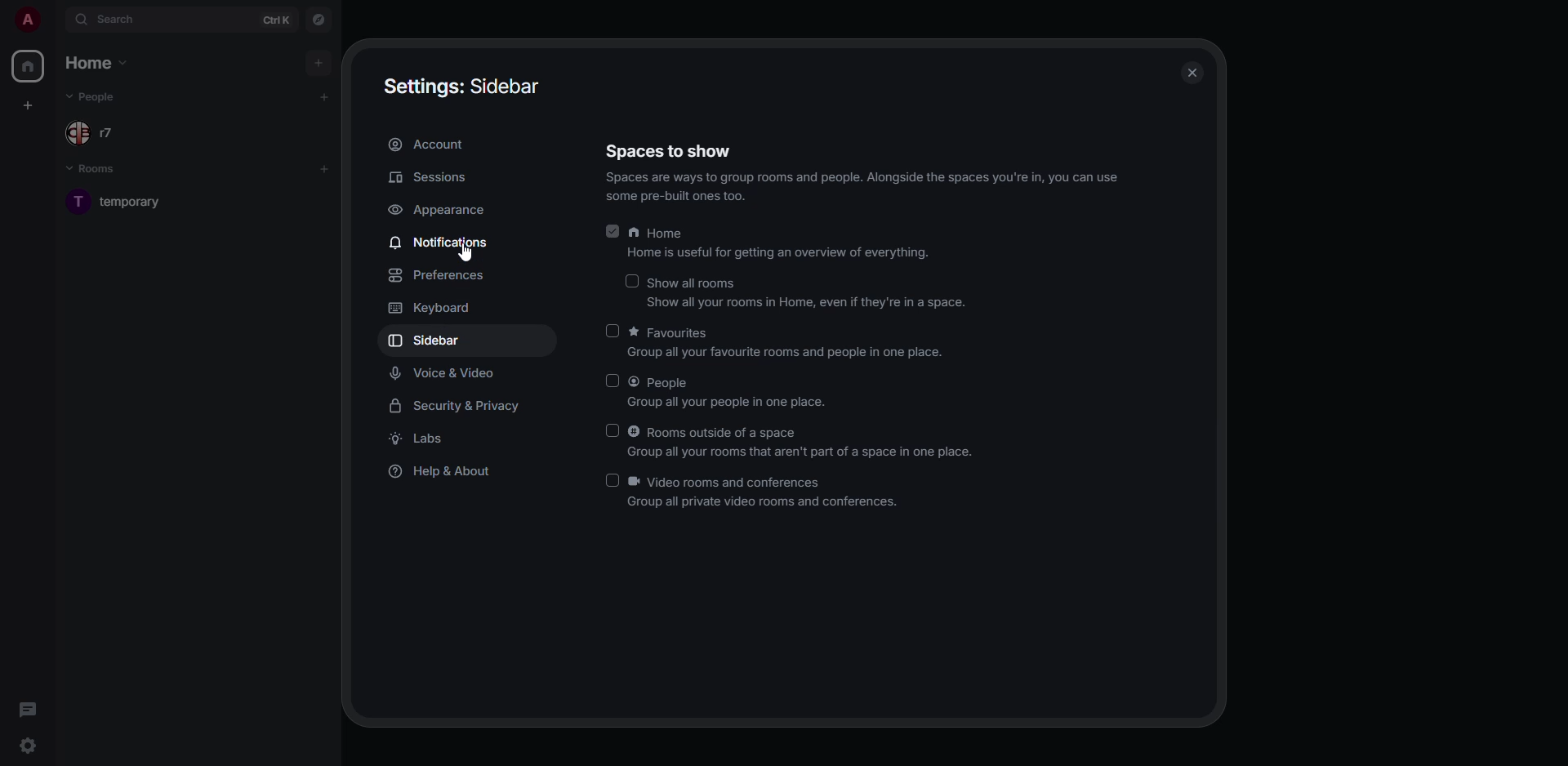 The width and height of the screenshot is (1568, 766). Describe the element at coordinates (630, 282) in the screenshot. I see `click to enable` at that location.